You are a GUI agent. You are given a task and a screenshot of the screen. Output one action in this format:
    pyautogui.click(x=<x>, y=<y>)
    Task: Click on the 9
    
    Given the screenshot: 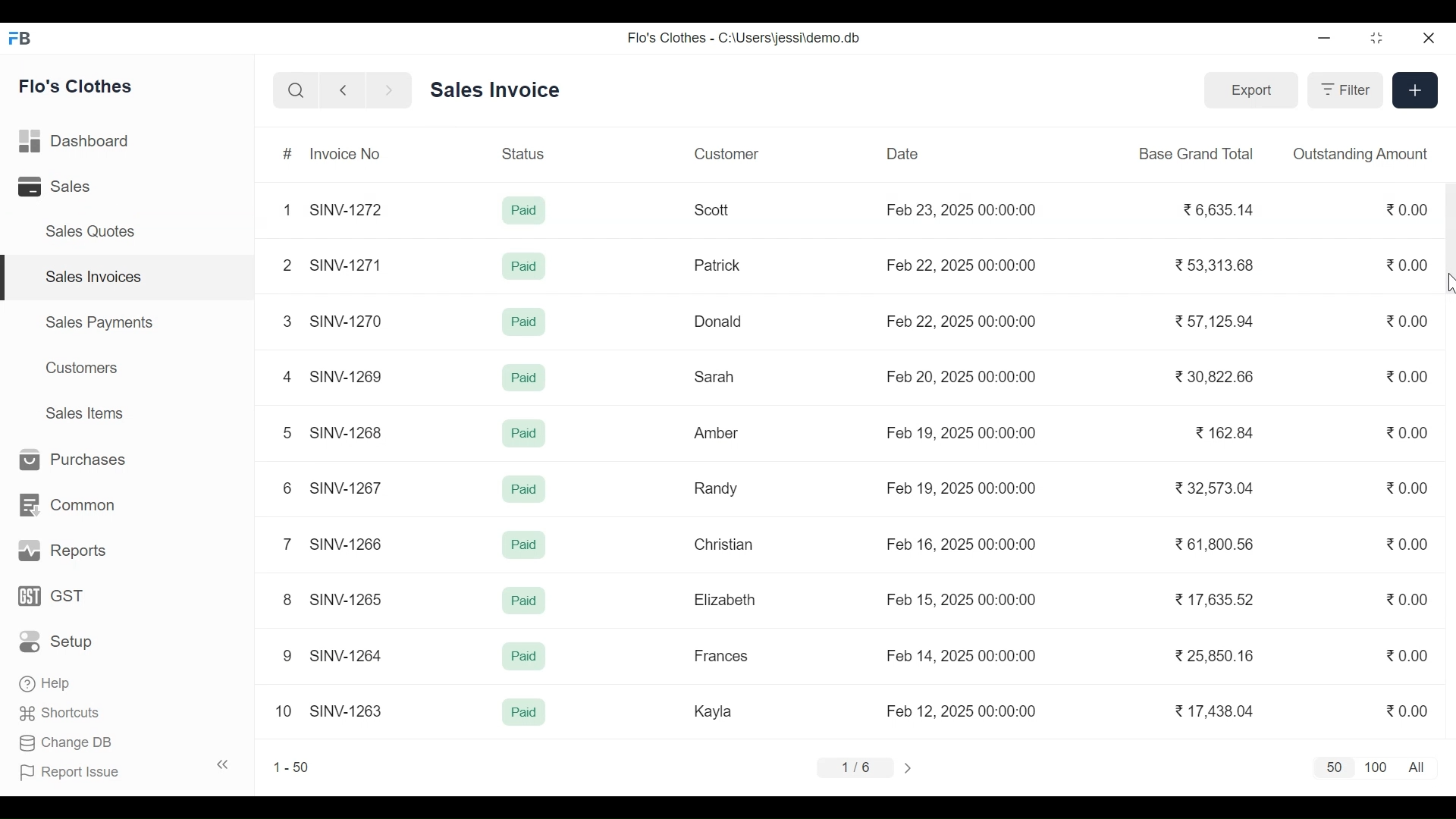 What is the action you would take?
    pyautogui.click(x=288, y=656)
    